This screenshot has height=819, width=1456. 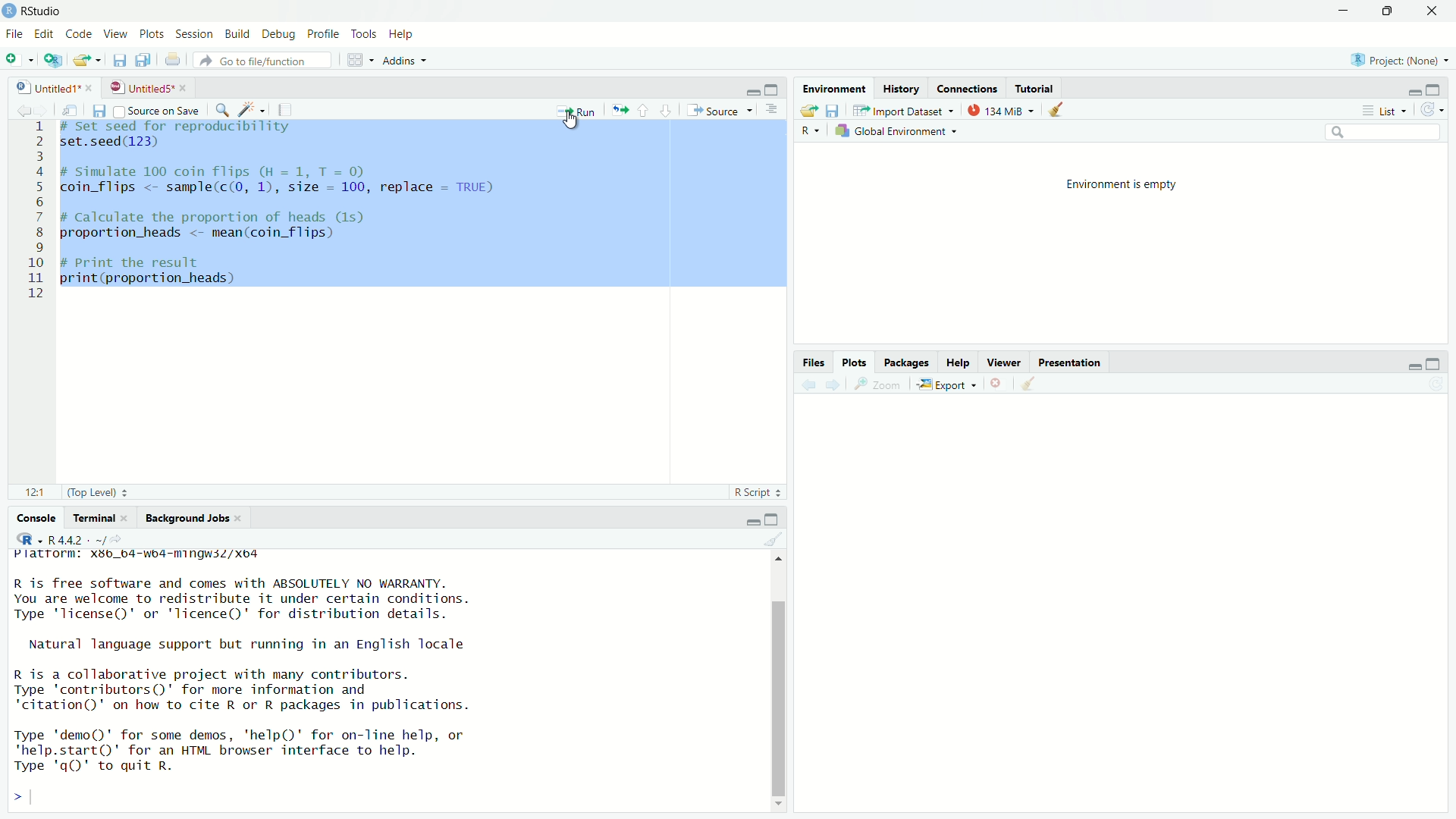 I want to click on go to previous section/chunk, so click(x=644, y=111).